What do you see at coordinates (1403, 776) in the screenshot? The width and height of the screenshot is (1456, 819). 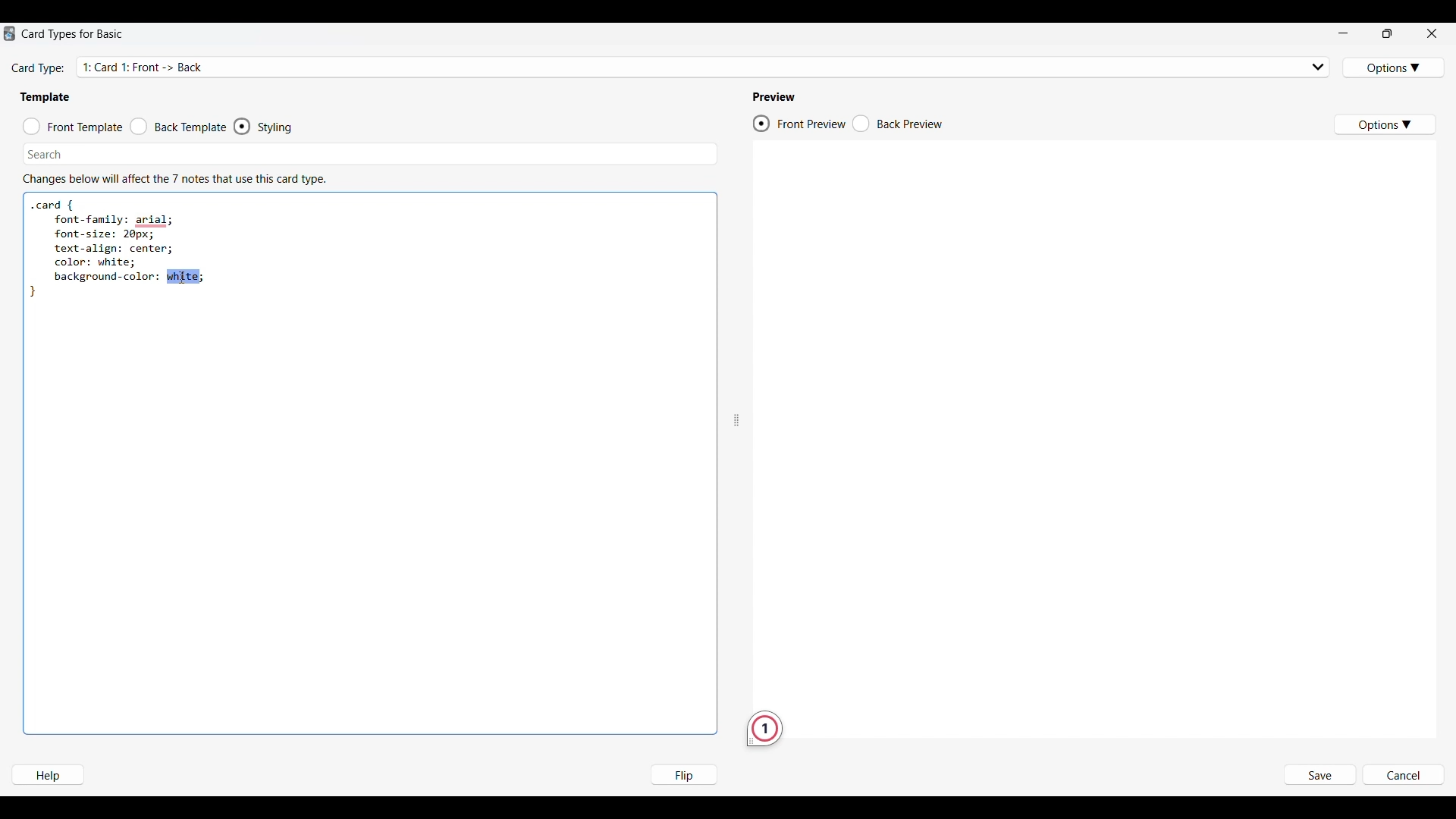 I see `Cancel` at bounding box center [1403, 776].